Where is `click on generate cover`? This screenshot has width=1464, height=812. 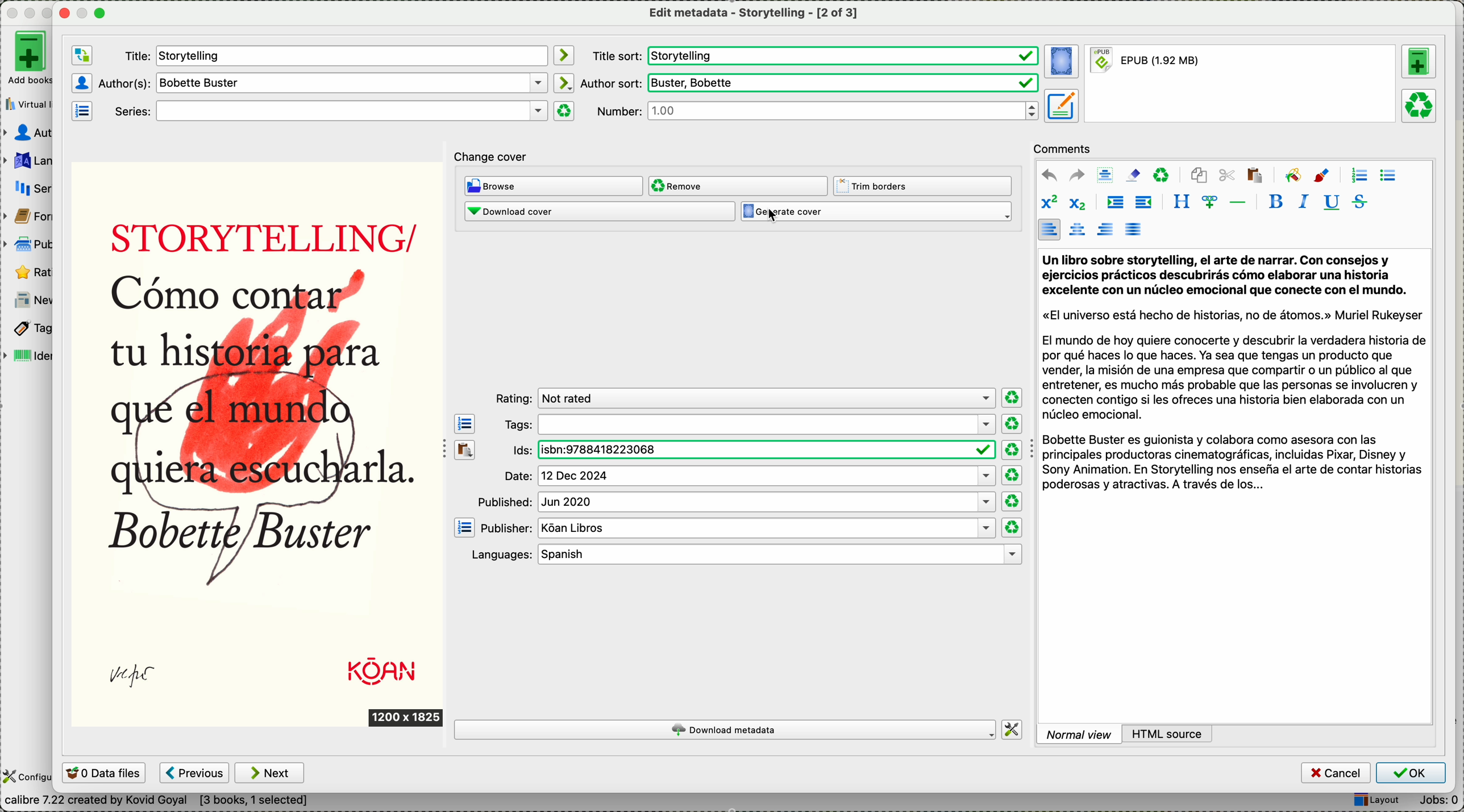 click on generate cover is located at coordinates (880, 215).